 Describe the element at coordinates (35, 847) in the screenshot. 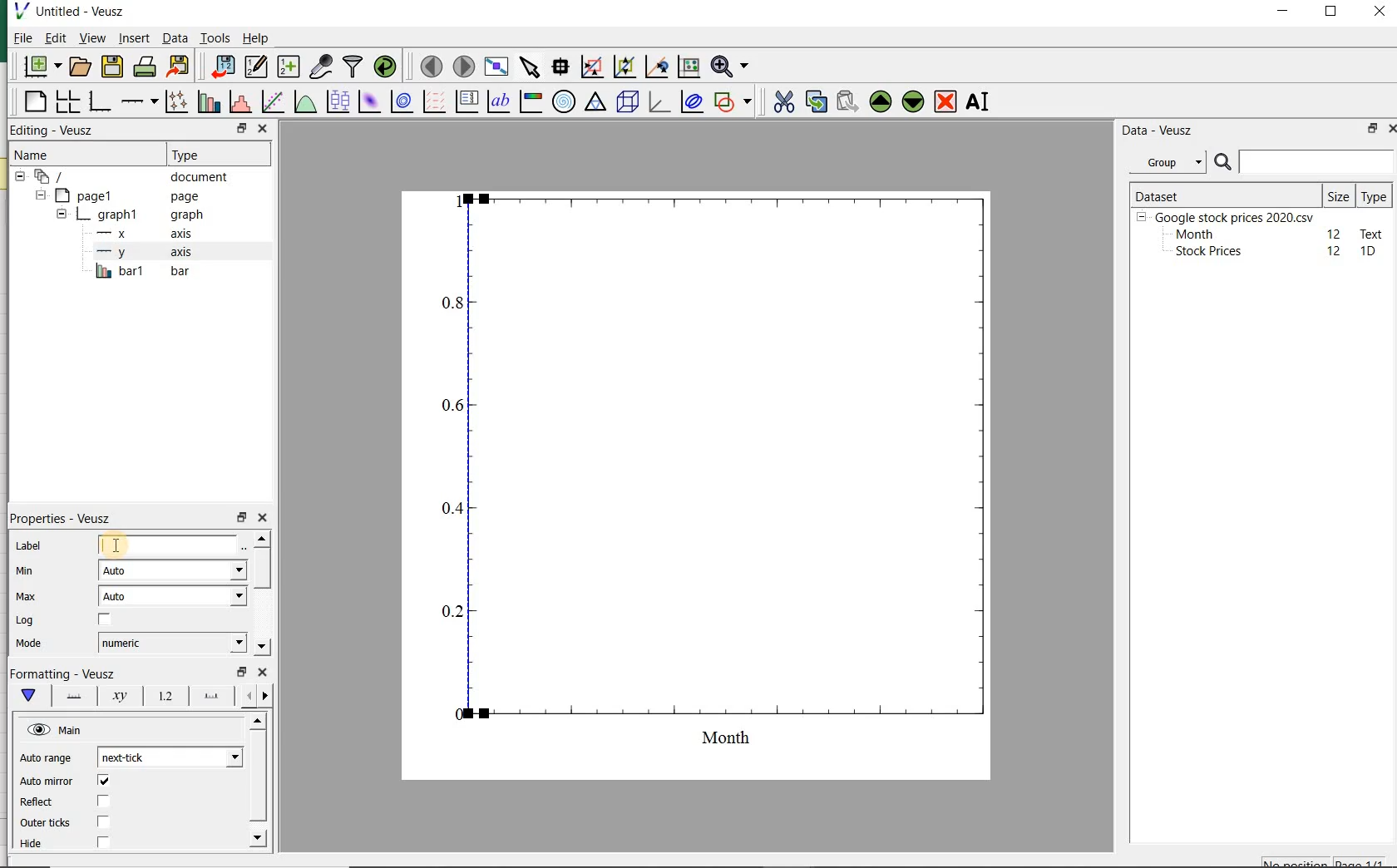

I see `Hide` at that location.